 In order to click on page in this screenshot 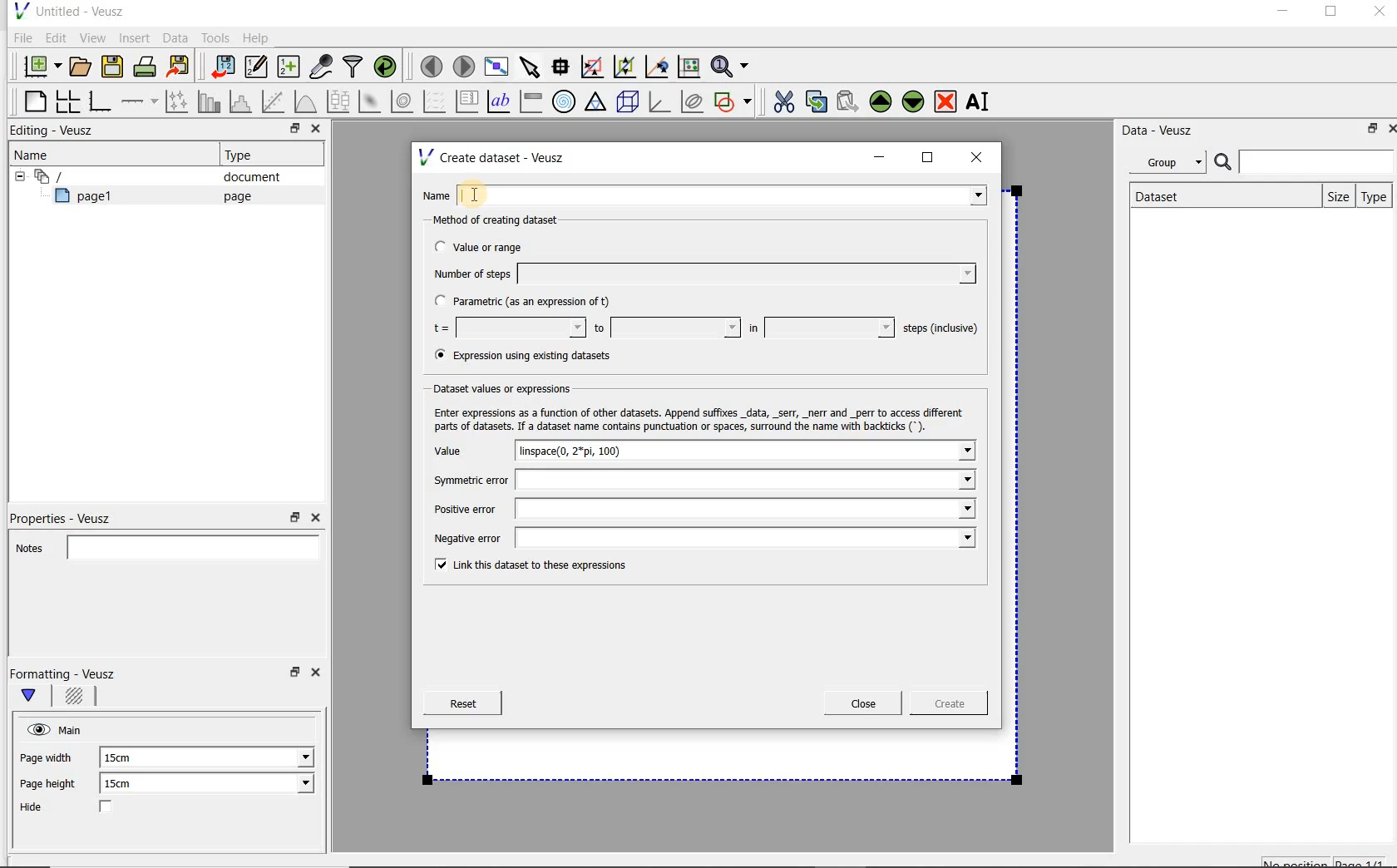, I will do `click(234, 196)`.